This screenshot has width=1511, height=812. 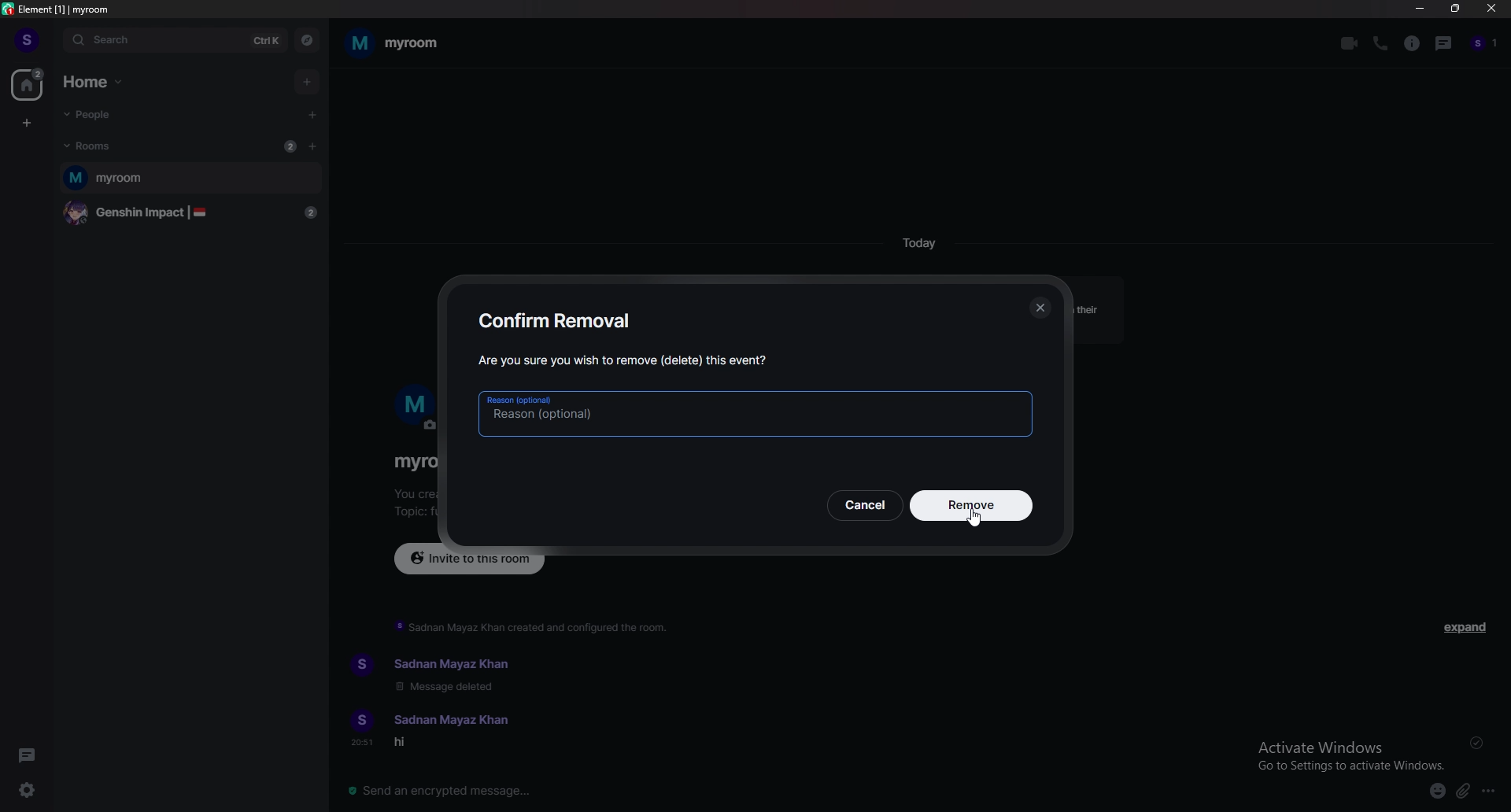 I want to click on resize, so click(x=1454, y=8).